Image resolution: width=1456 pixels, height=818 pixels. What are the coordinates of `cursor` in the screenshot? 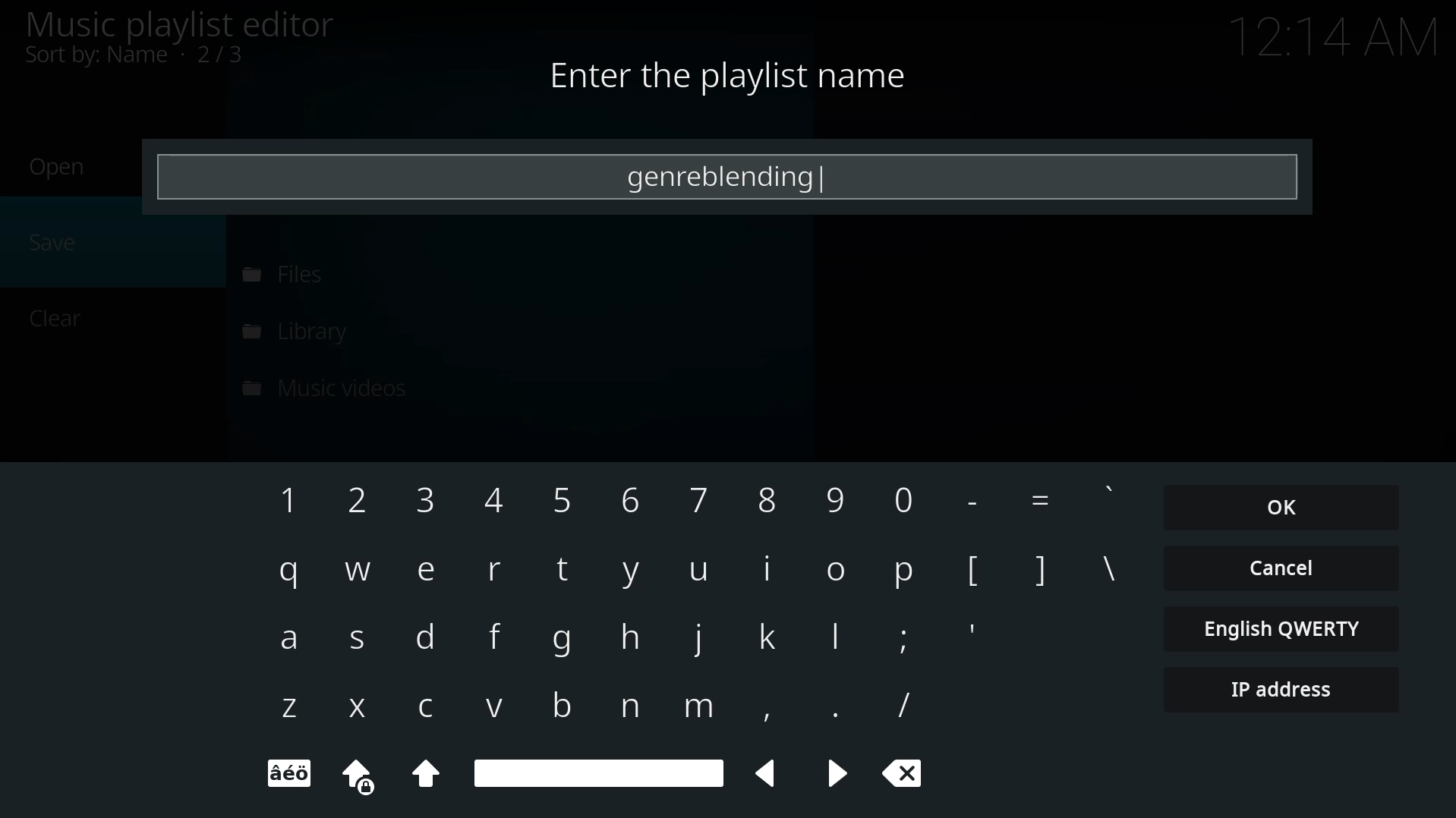 It's located at (830, 185).